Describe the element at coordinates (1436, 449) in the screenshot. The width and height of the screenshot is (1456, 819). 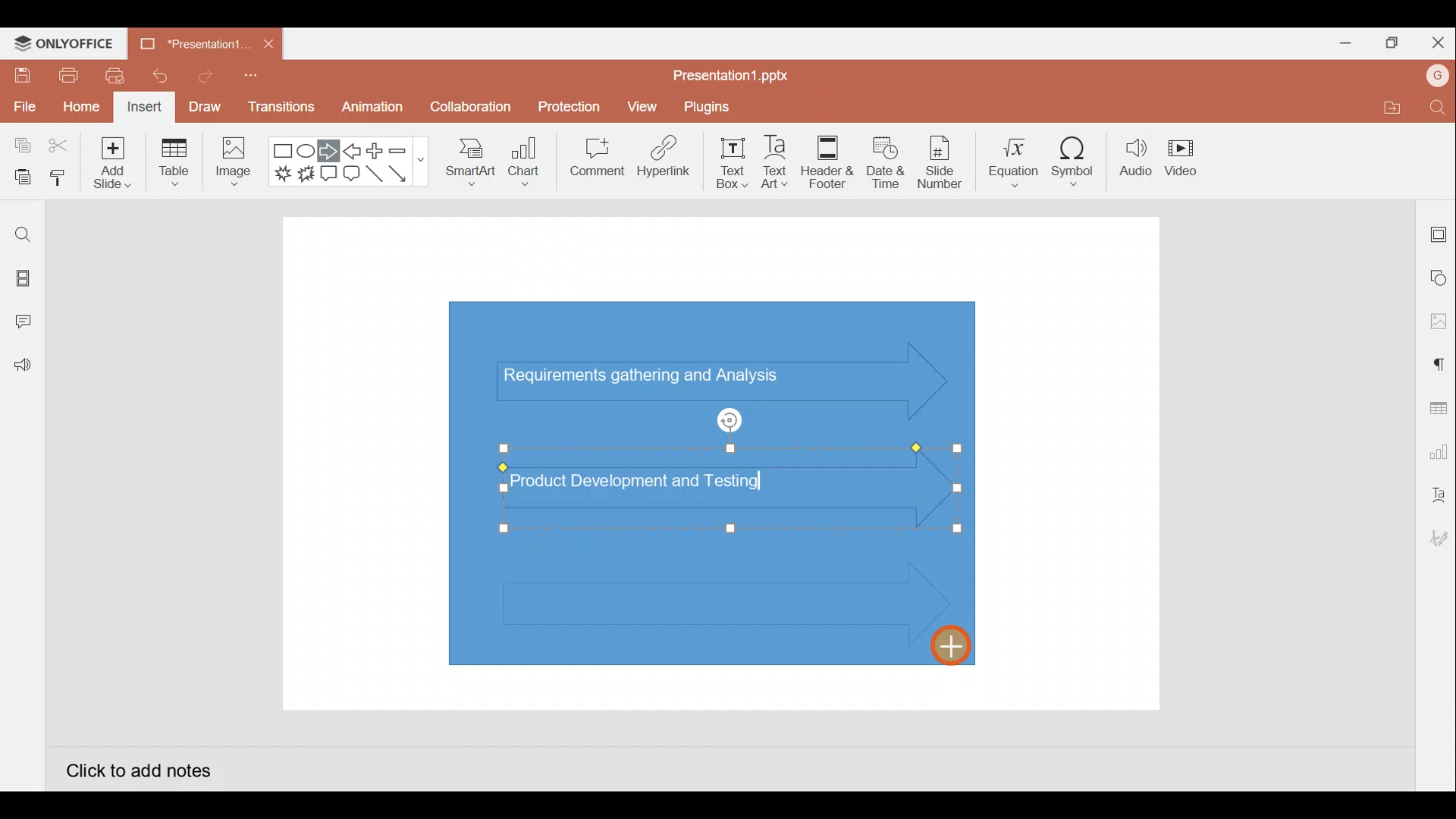
I see `Chart settings` at that location.